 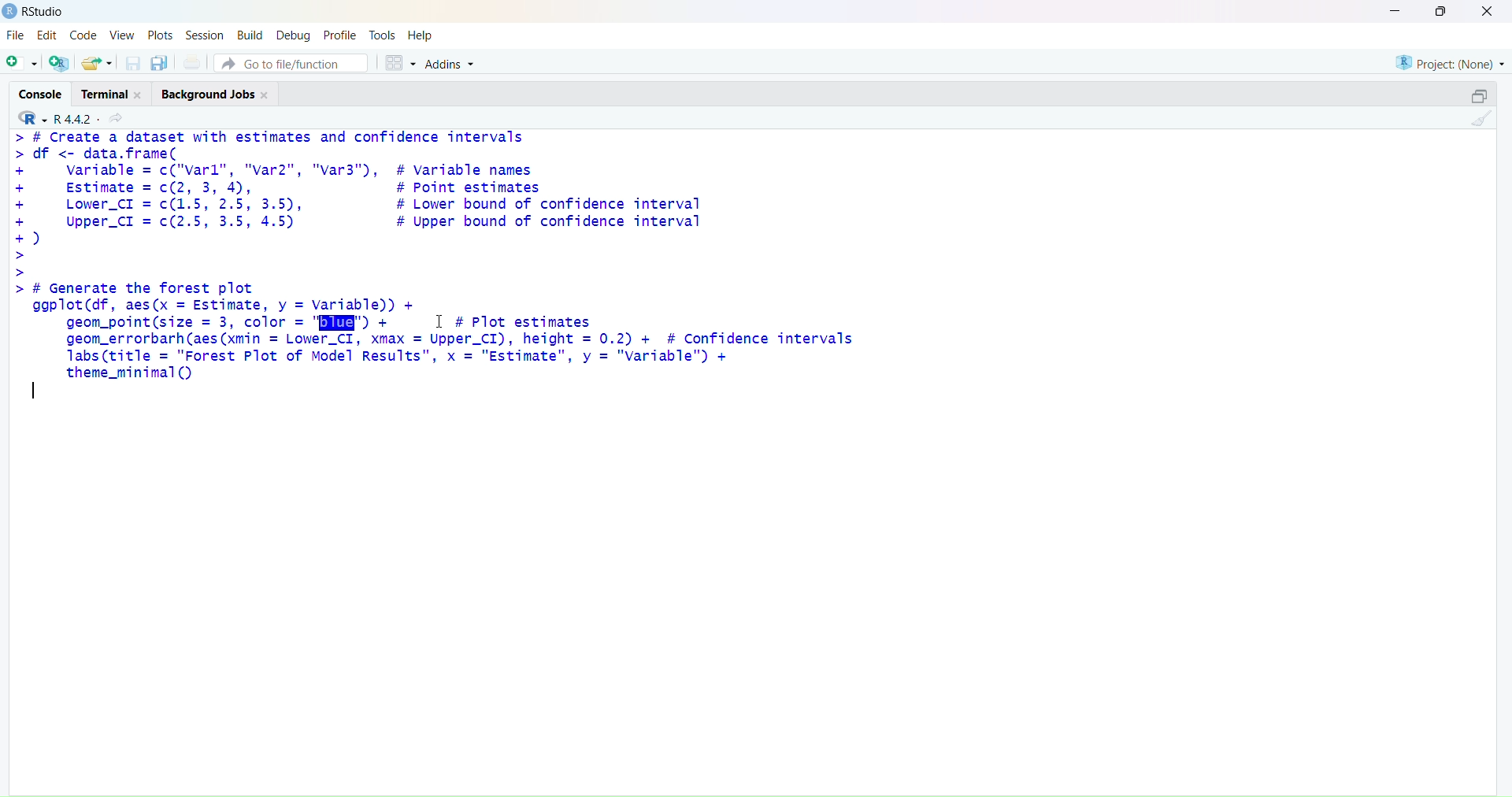 I want to click on Project: (None), so click(x=1450, y=61).